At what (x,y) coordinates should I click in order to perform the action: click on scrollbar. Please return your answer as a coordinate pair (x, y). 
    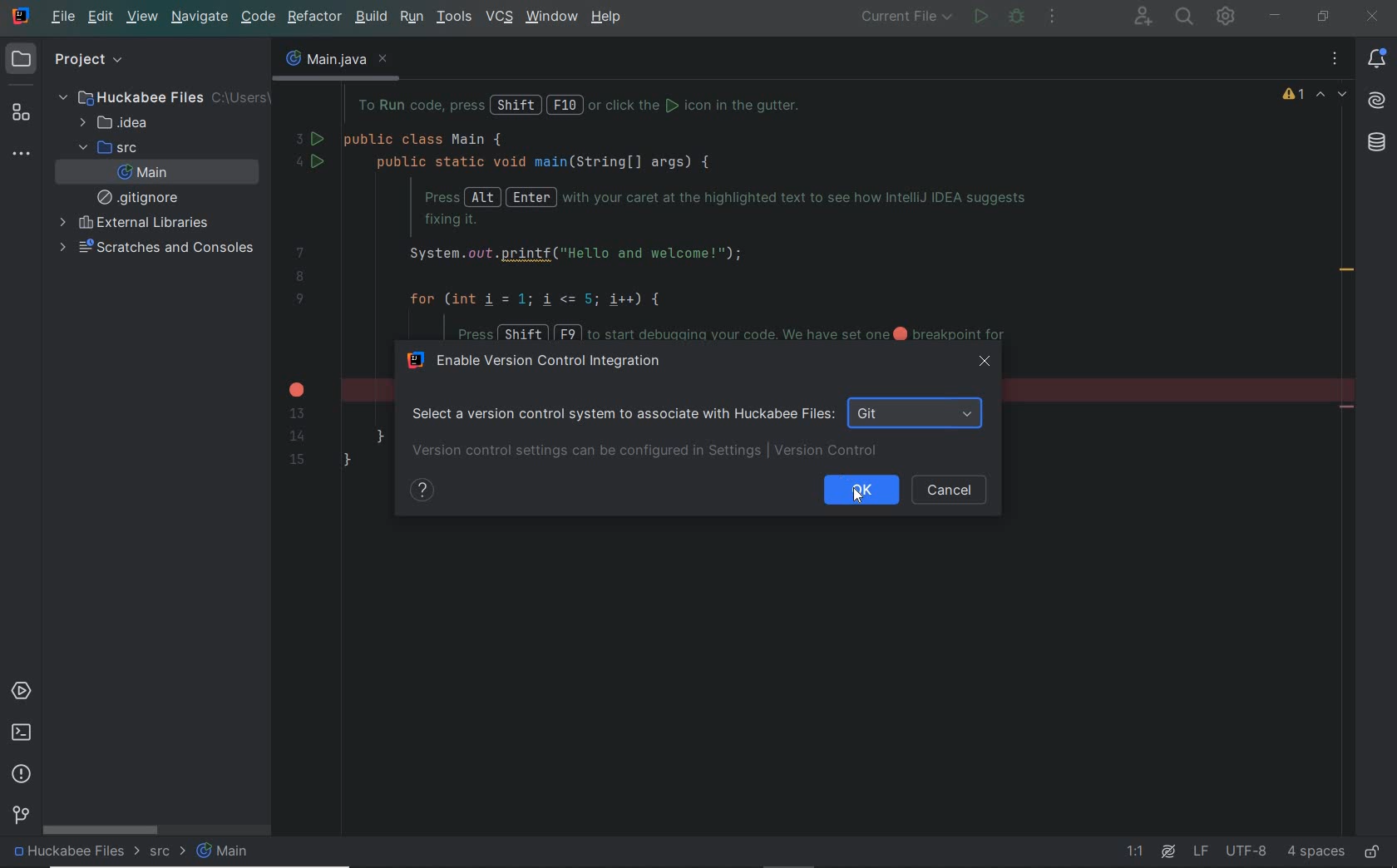
    Looking at the image, I should click on (101, 831).